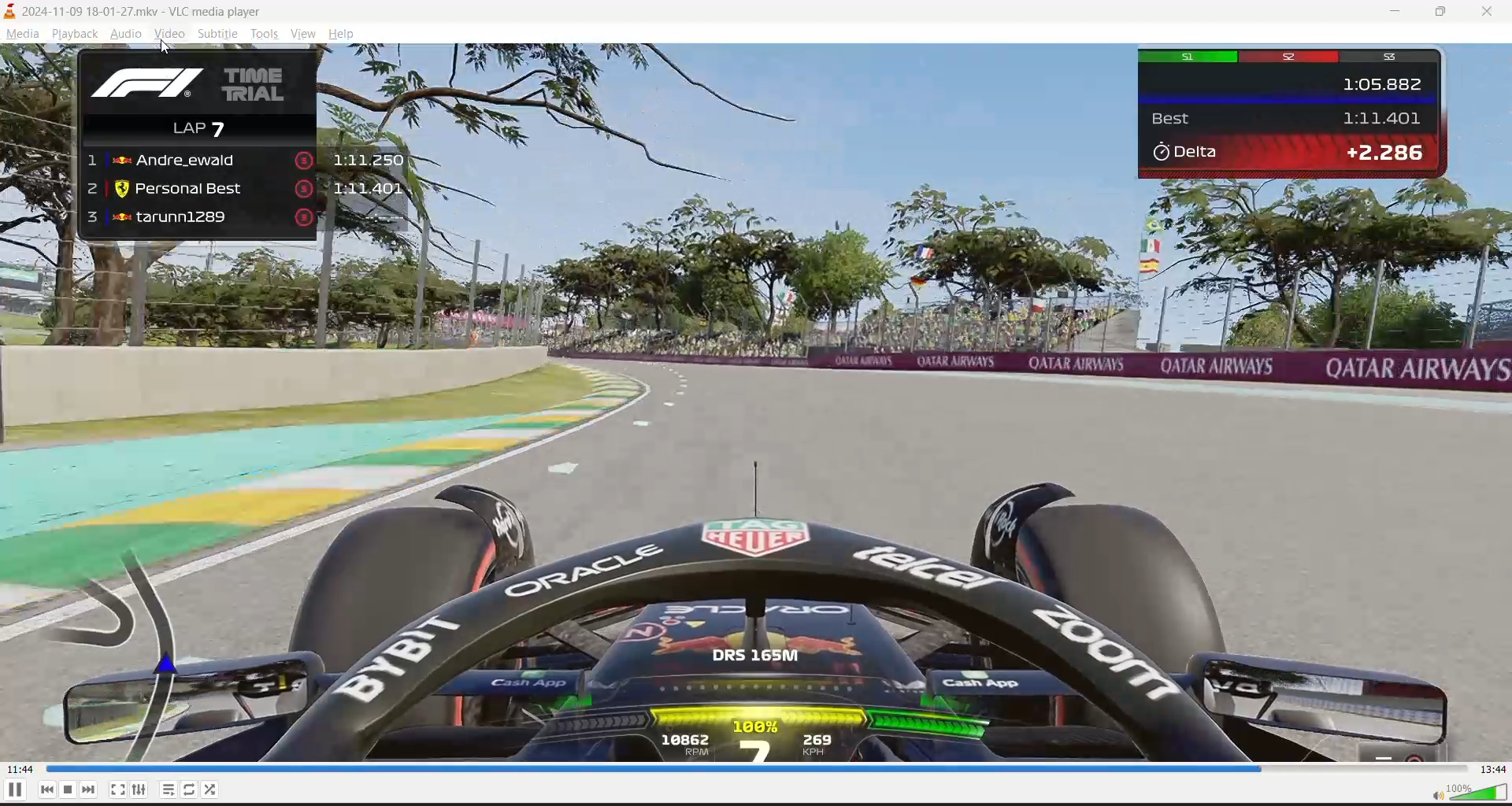 This screenshot has width=1512, height=806. I want to click on stop, so click(70, 790).